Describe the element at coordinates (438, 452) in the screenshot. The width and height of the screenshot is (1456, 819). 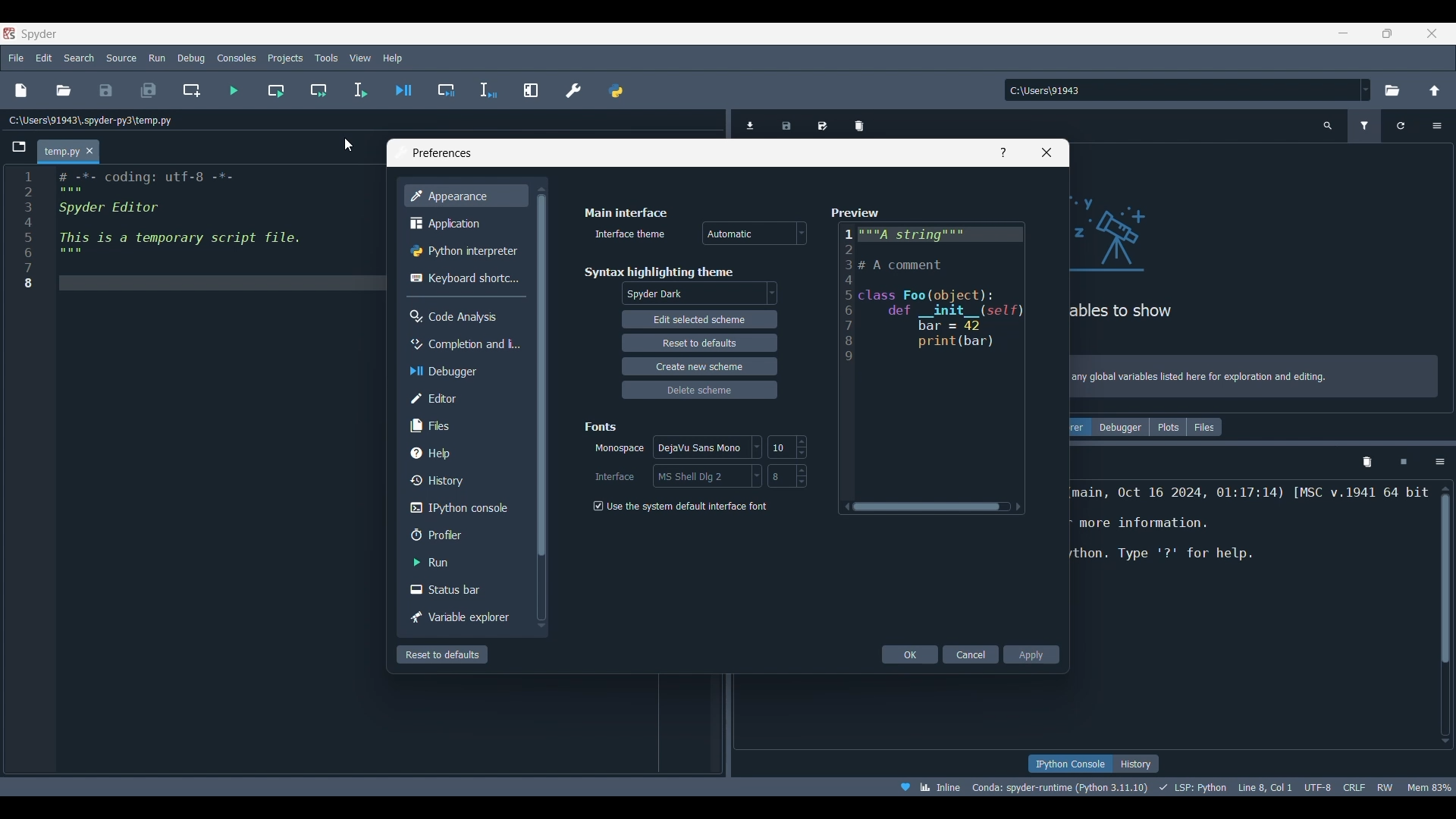
I see `help` at that location.